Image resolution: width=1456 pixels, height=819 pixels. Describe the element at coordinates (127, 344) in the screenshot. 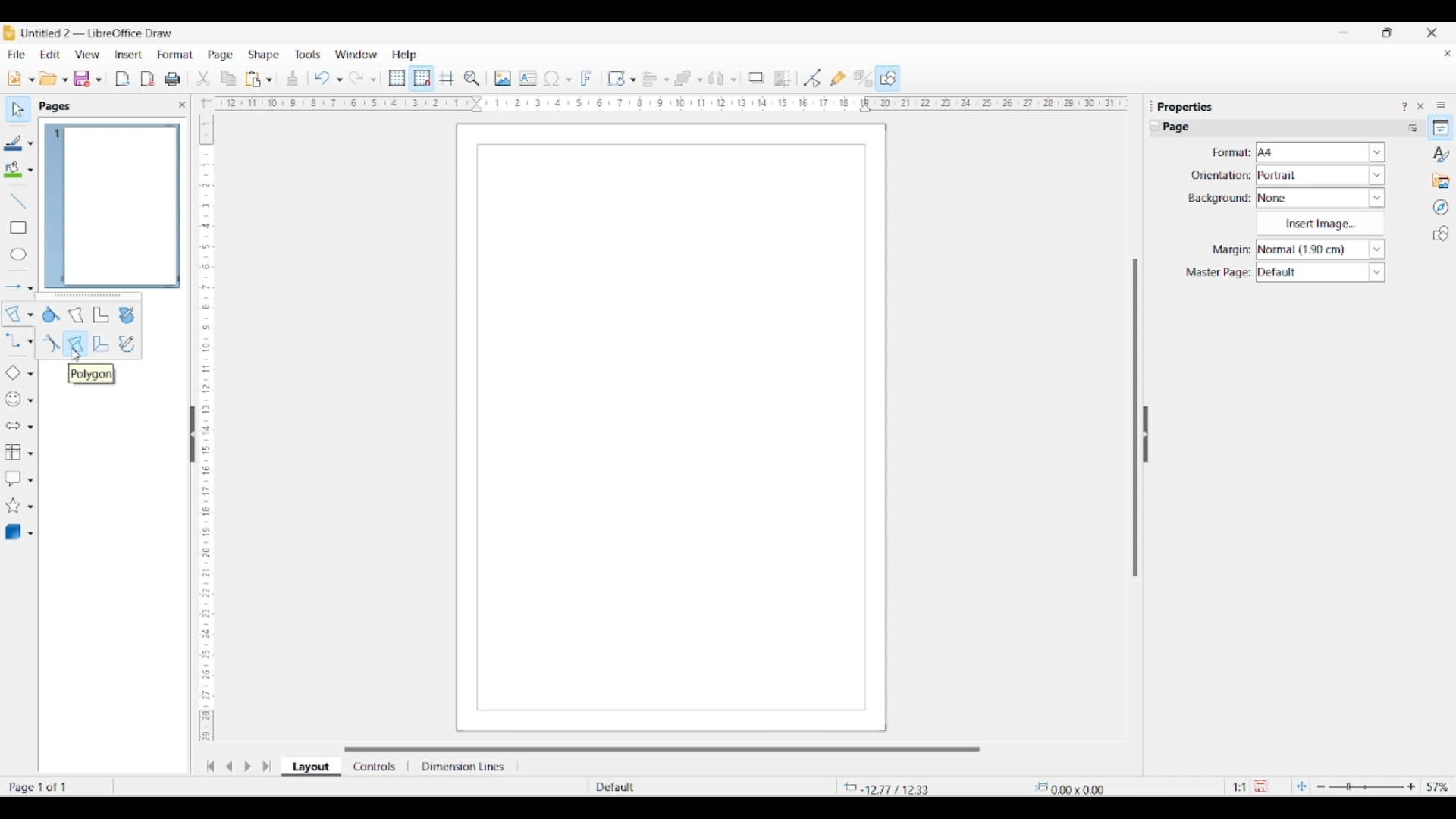

I see `Freeform line` at that location.